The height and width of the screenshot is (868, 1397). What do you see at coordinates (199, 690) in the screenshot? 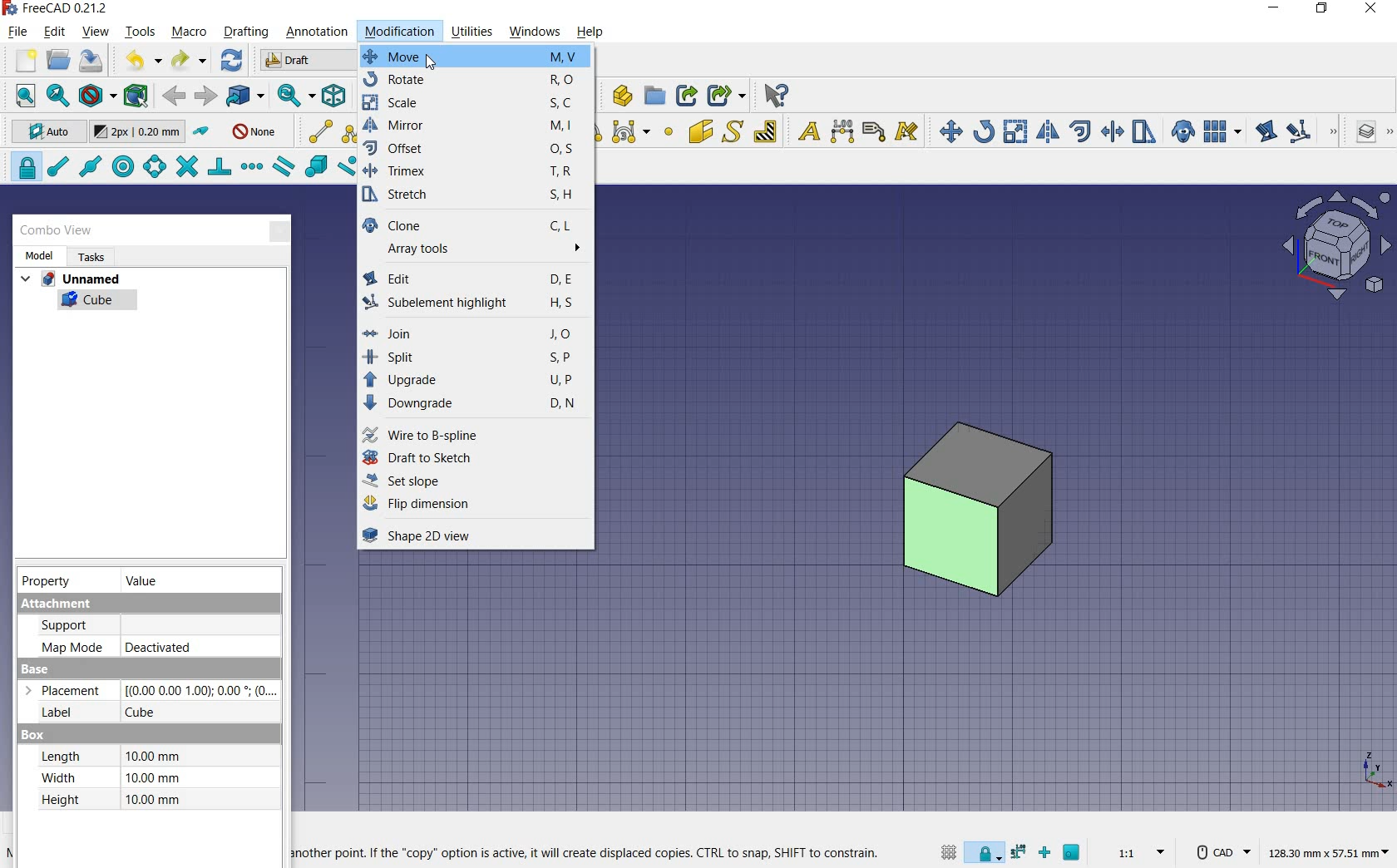
I see `` at bounding box center [199, 690].